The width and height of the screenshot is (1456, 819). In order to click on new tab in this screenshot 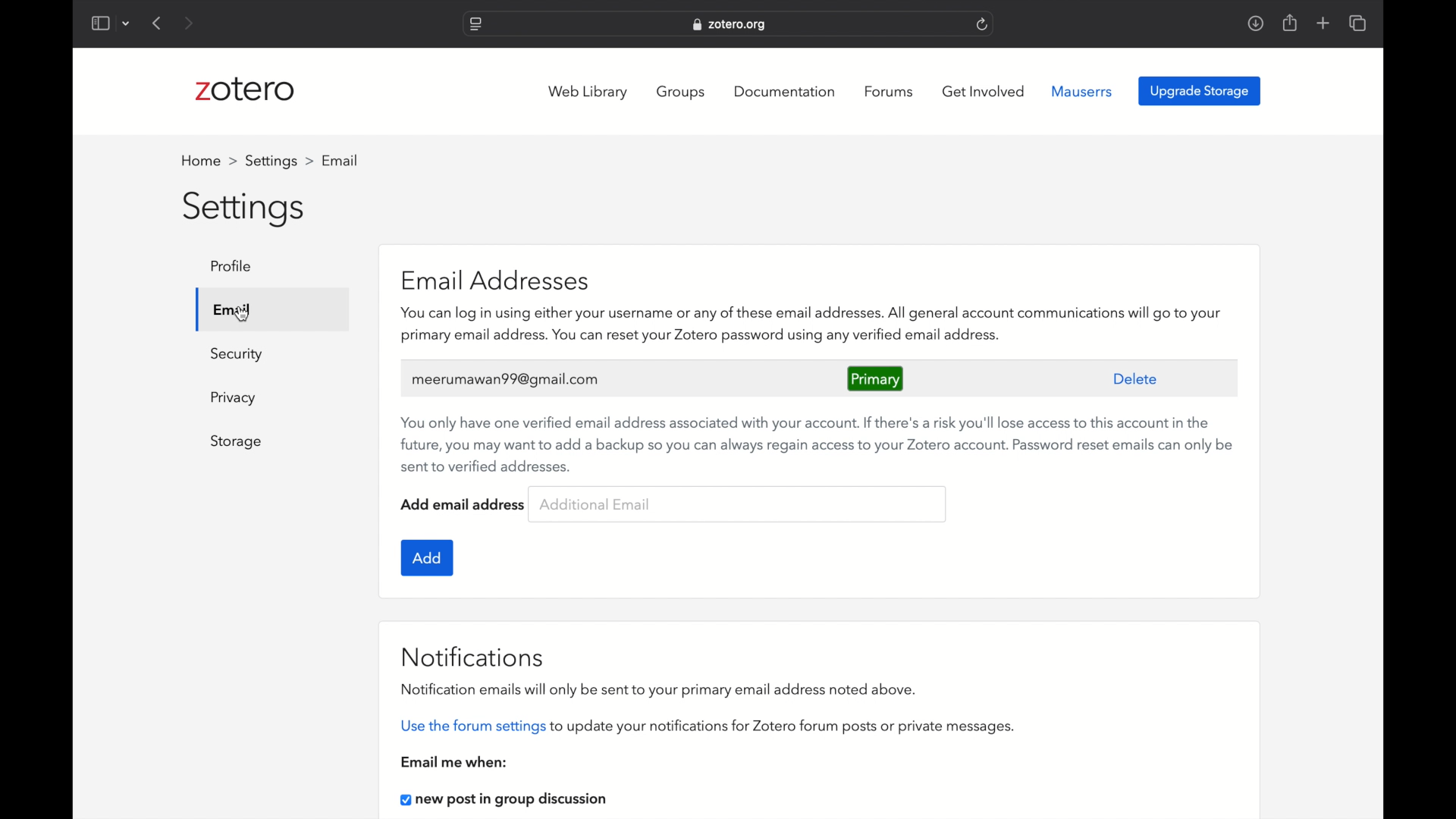, I will do `click(1323, 23)`.